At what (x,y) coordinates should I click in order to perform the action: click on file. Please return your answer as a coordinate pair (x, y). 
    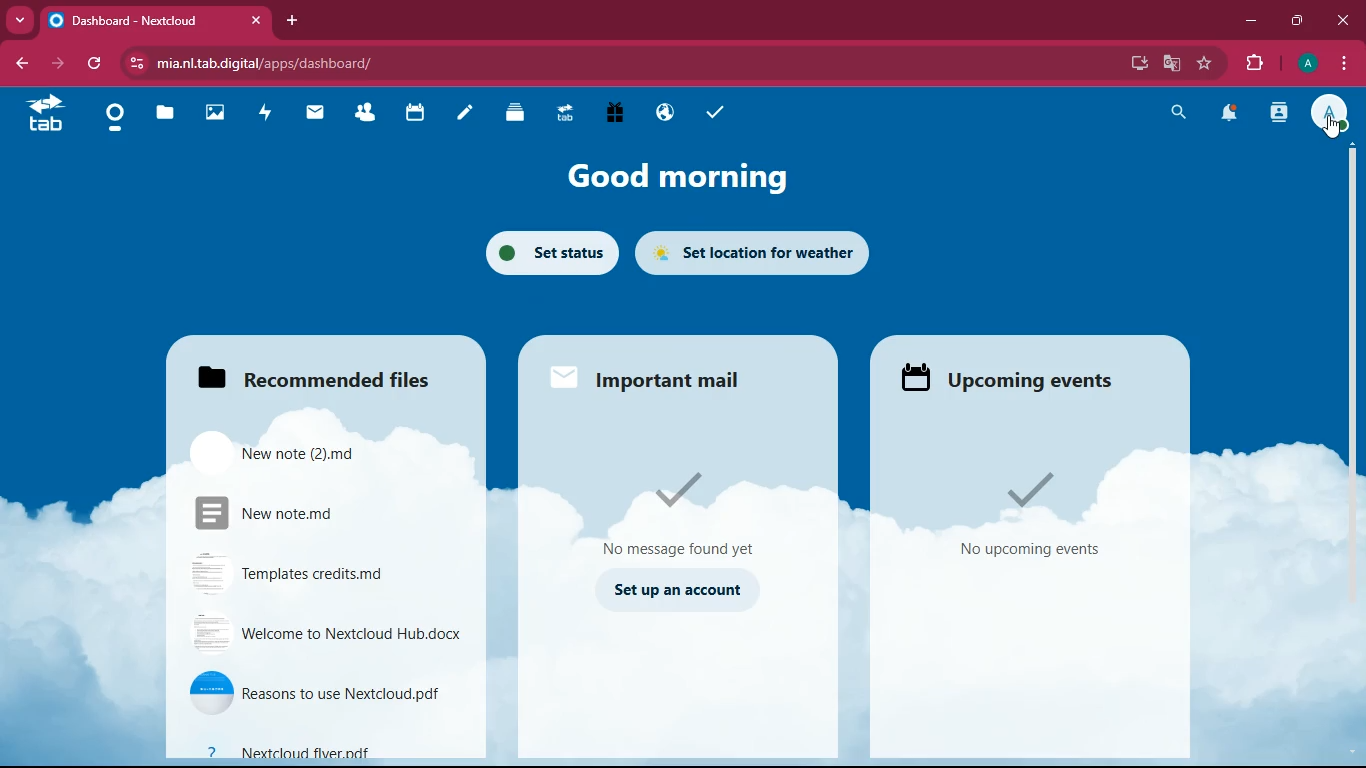
    Looking at the image, I should click on (330, 752).